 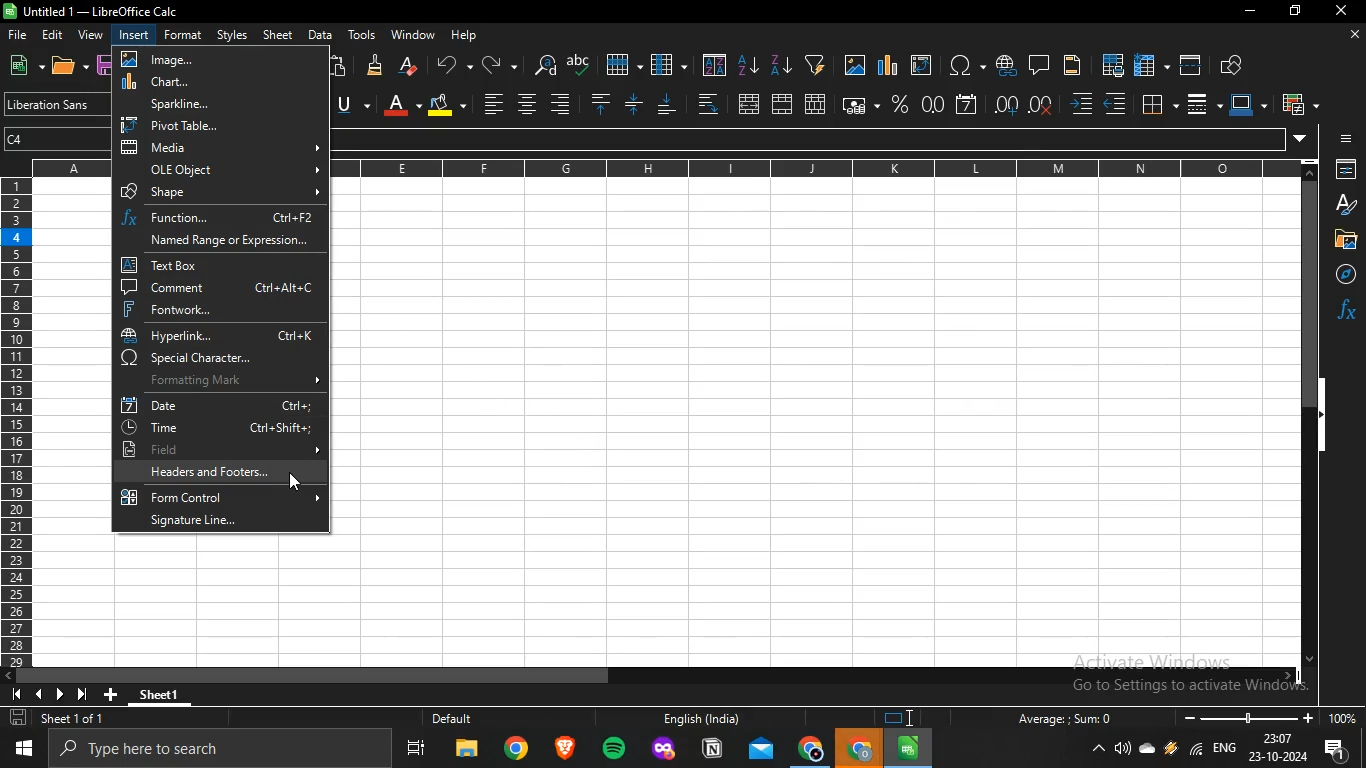 I want to click on add decimal place, so click(x=1007, y=105).